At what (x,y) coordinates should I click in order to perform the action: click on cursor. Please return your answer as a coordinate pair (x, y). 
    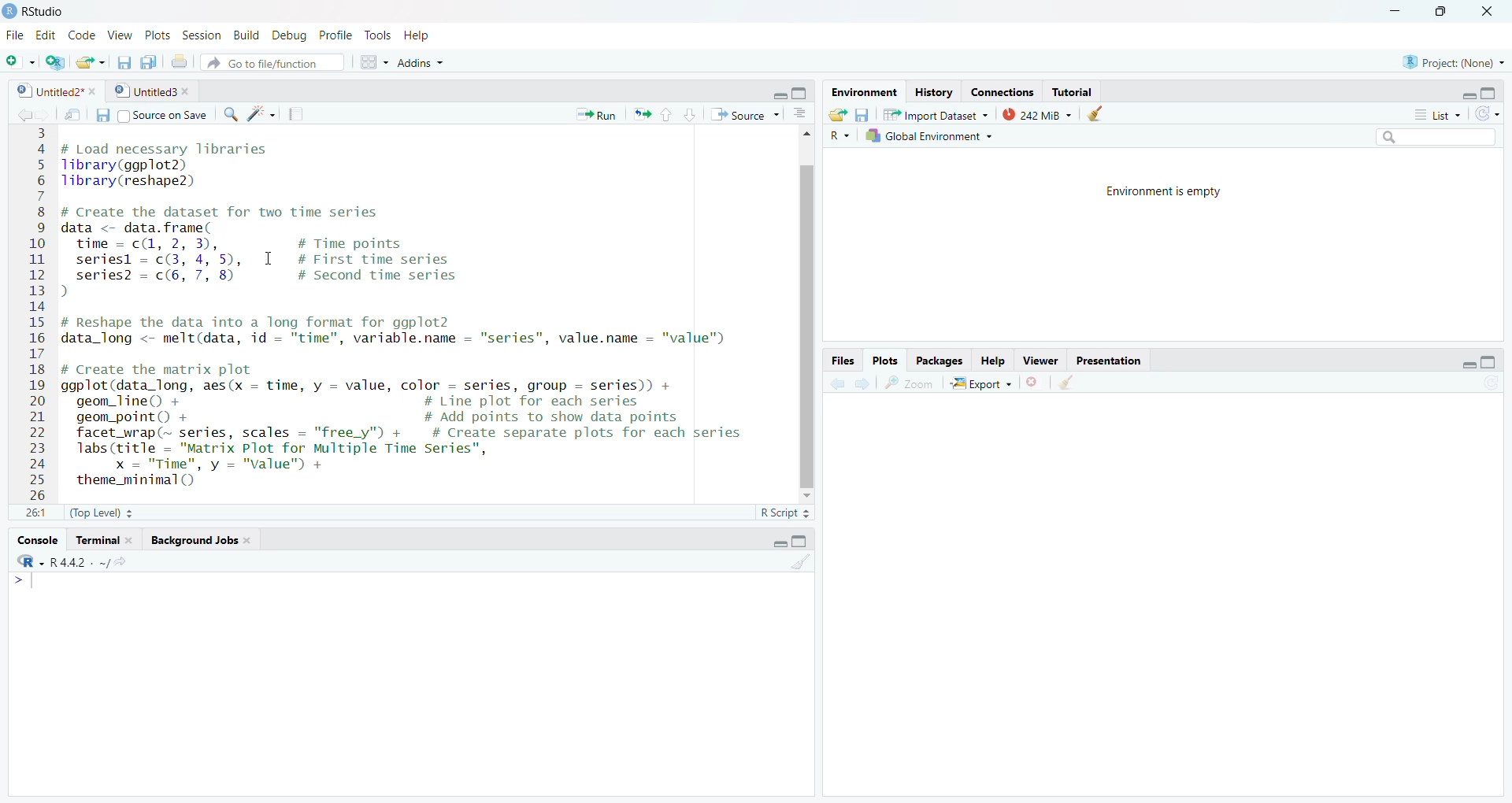
    Looking at the image, I should click on (268, 258).